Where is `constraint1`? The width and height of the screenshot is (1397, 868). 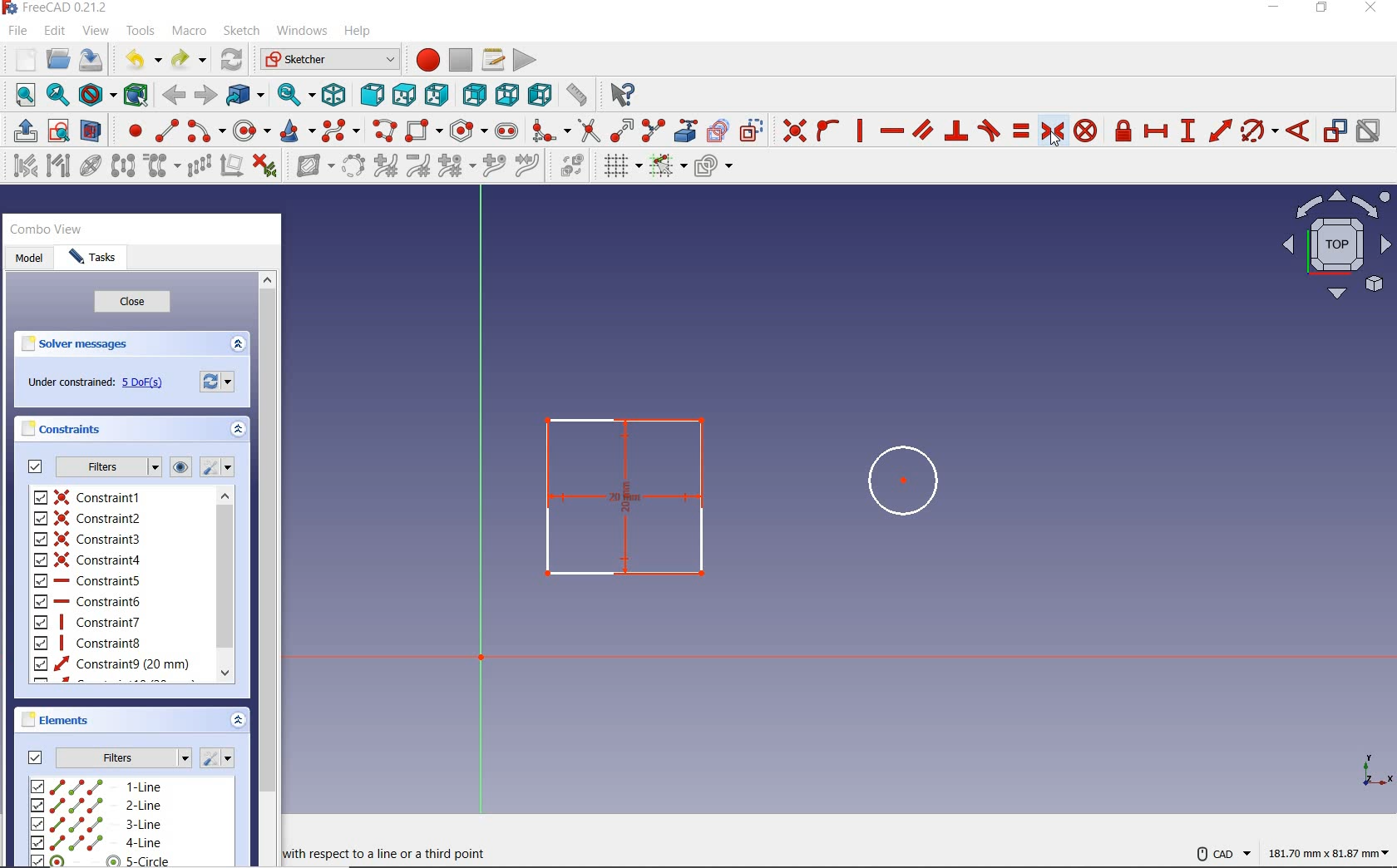
constraint1 is located at coordinates (116, 498).